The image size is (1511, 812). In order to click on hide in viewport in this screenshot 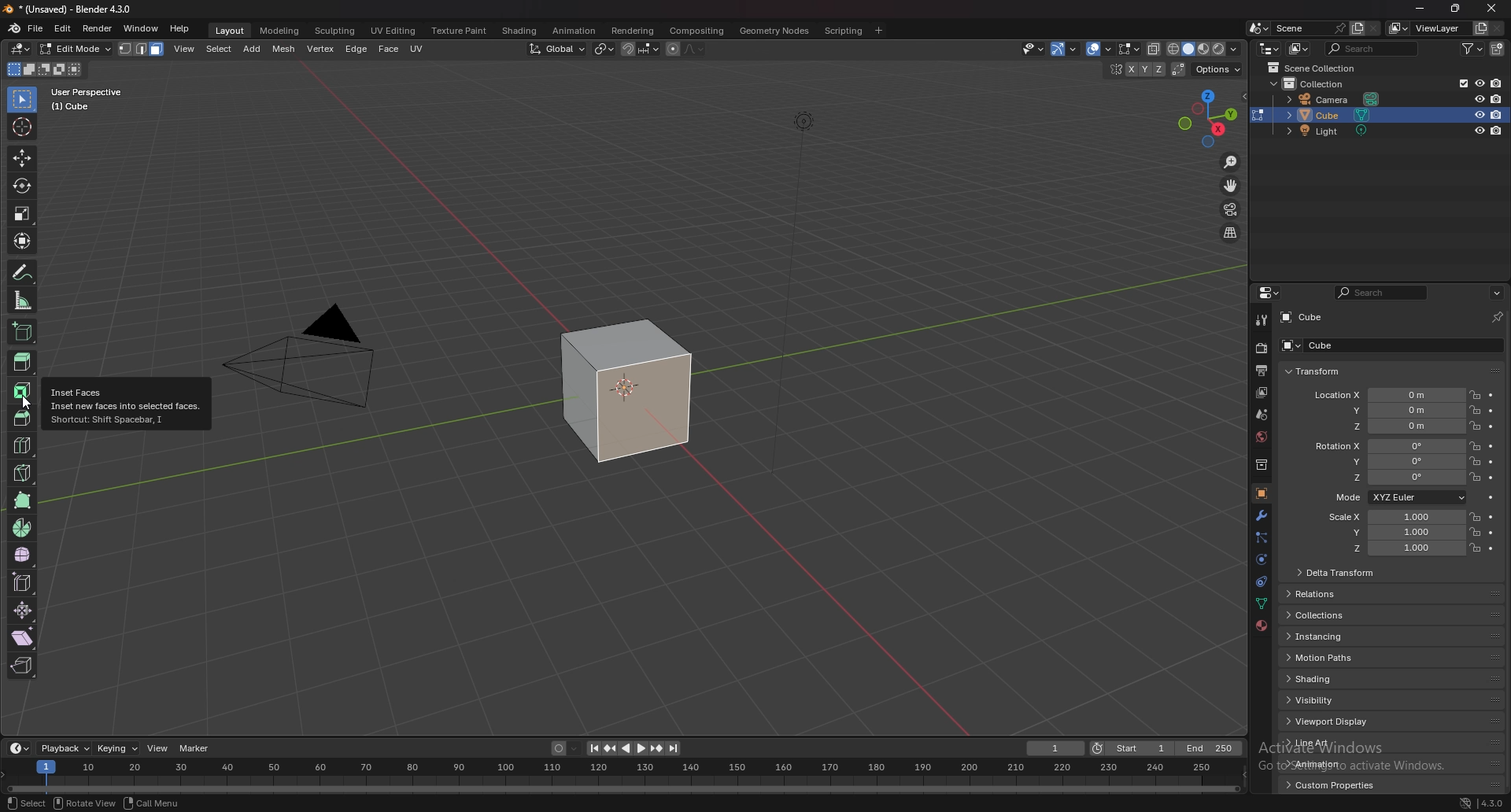, I will do `click(1479, 83)`.